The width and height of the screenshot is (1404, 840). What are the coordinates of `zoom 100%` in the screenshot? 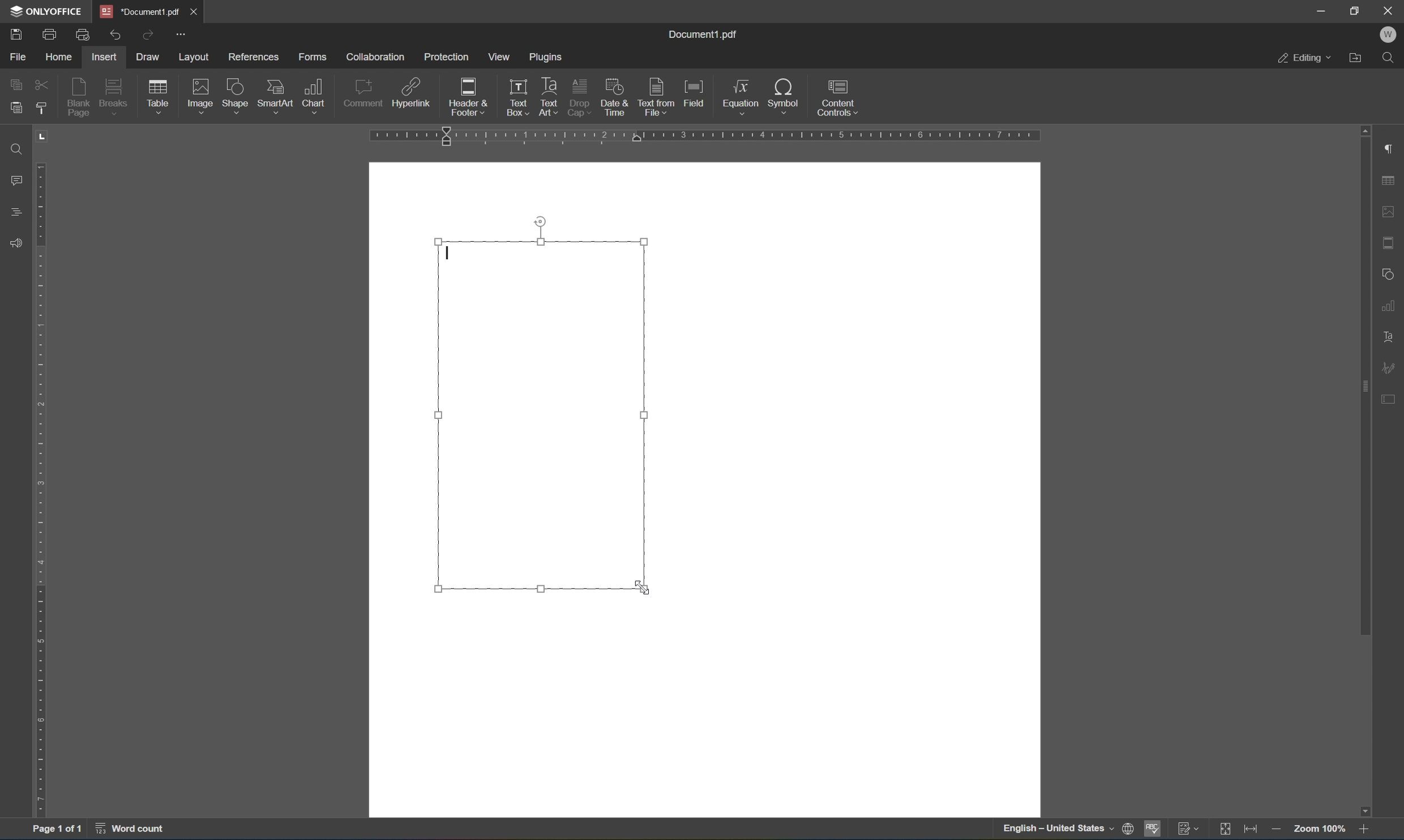 It's located at (1320, 831).